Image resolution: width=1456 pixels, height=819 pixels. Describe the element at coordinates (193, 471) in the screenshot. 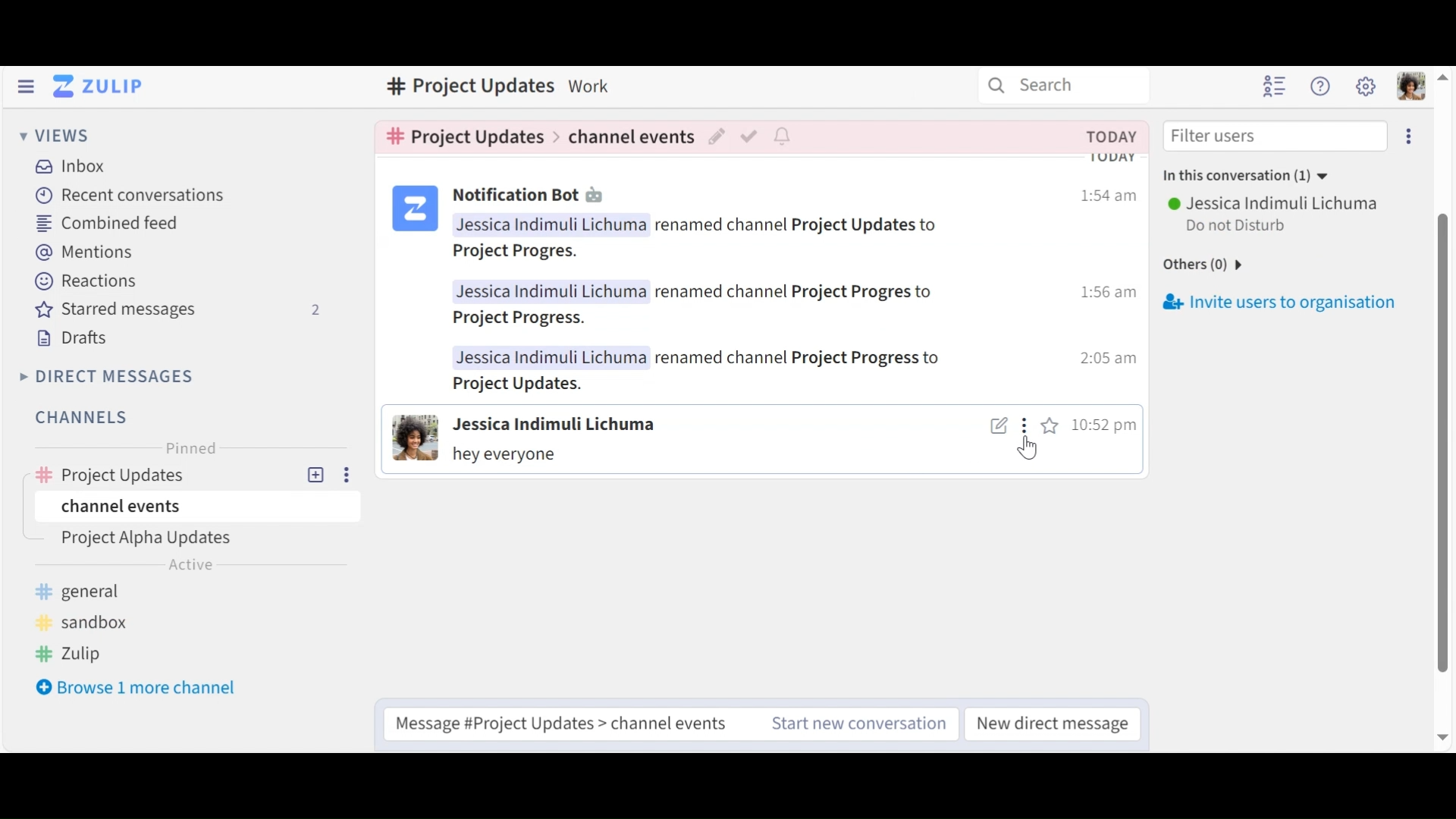

I see `Channel` at that location.